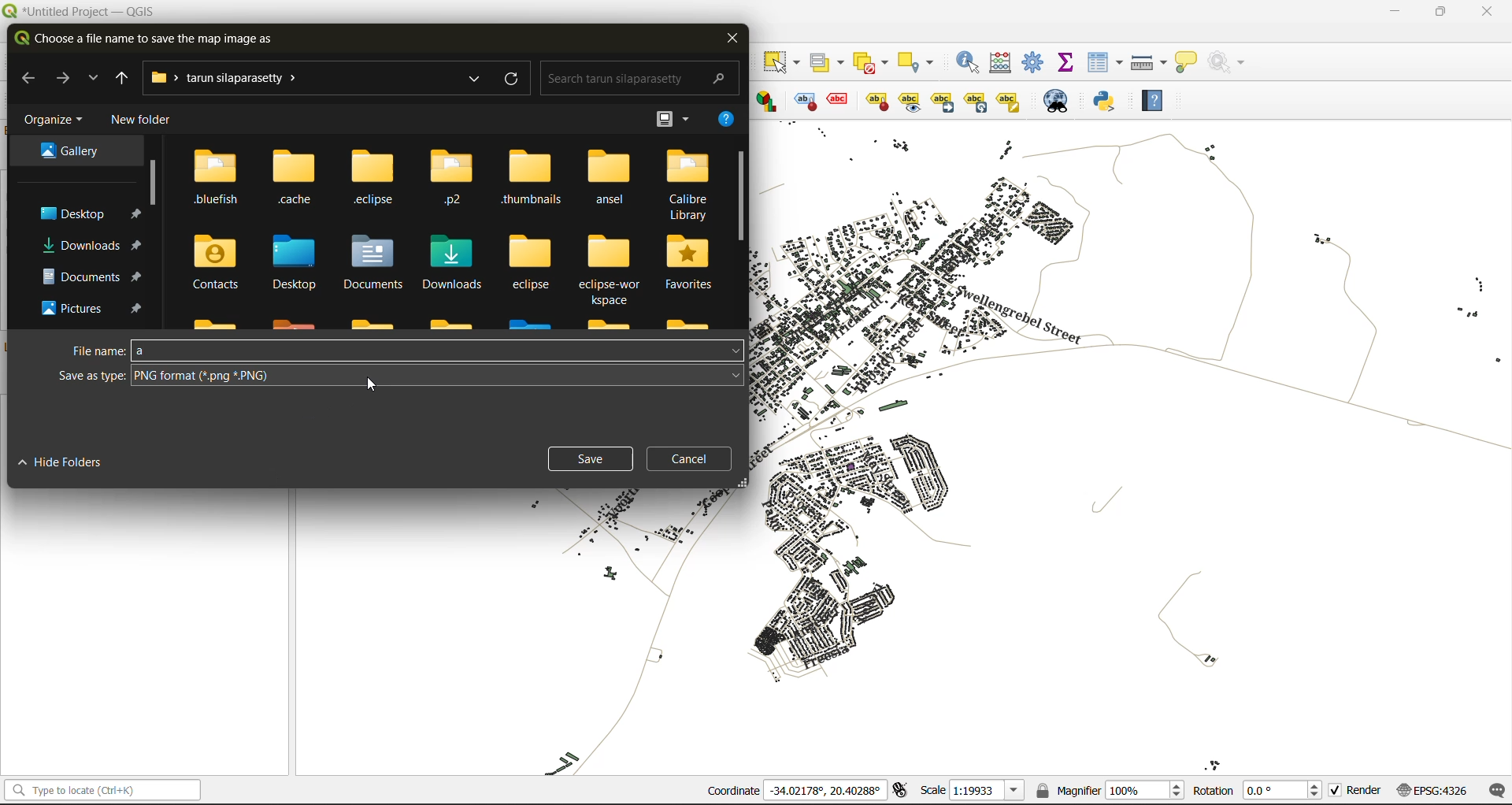 This screenshot has height=805, width=1512. I want to click on vertical scroll bar, so click(150, 180).